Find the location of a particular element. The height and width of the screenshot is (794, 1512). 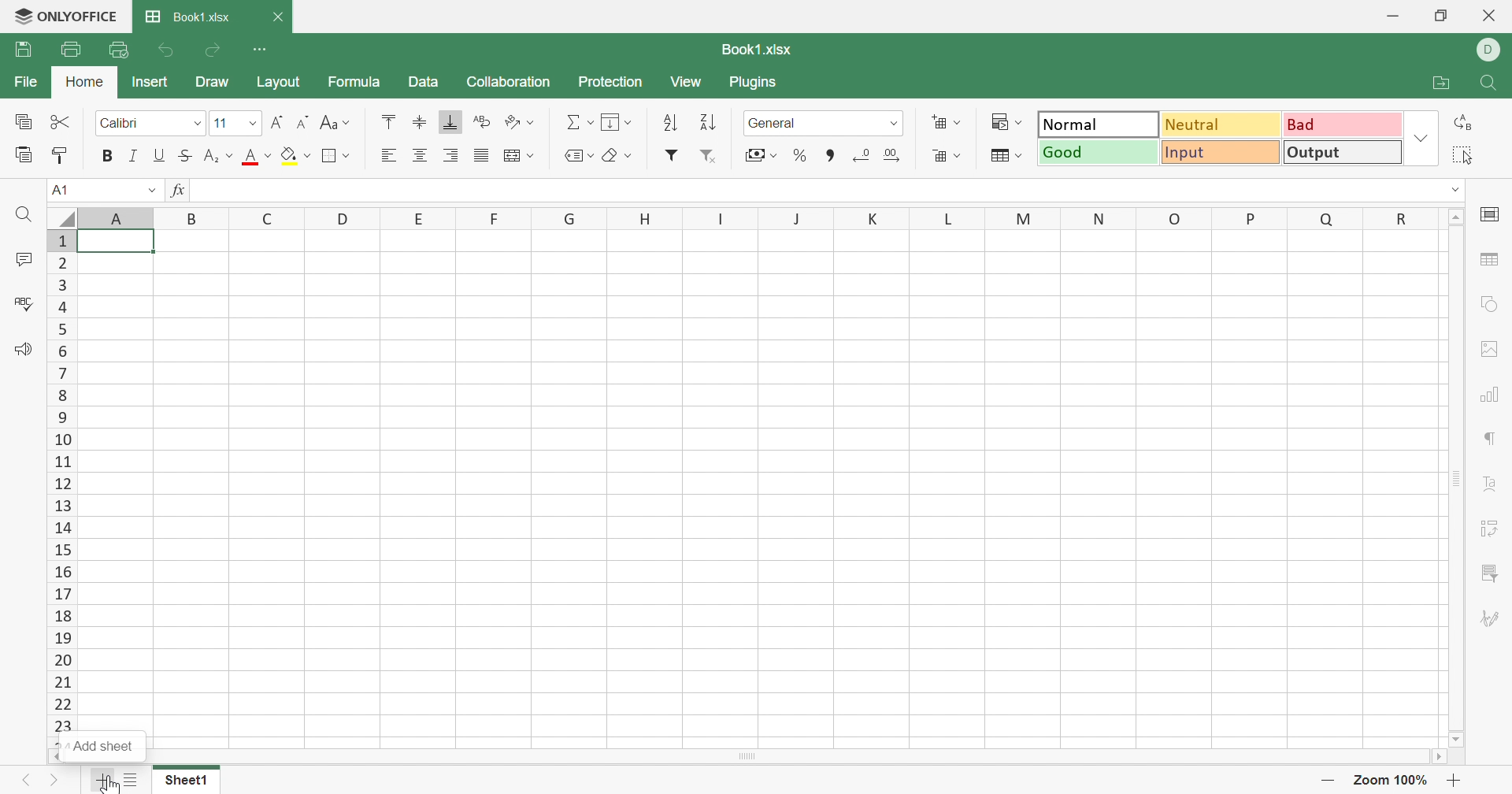

Close is located at coordinates (281, 19).